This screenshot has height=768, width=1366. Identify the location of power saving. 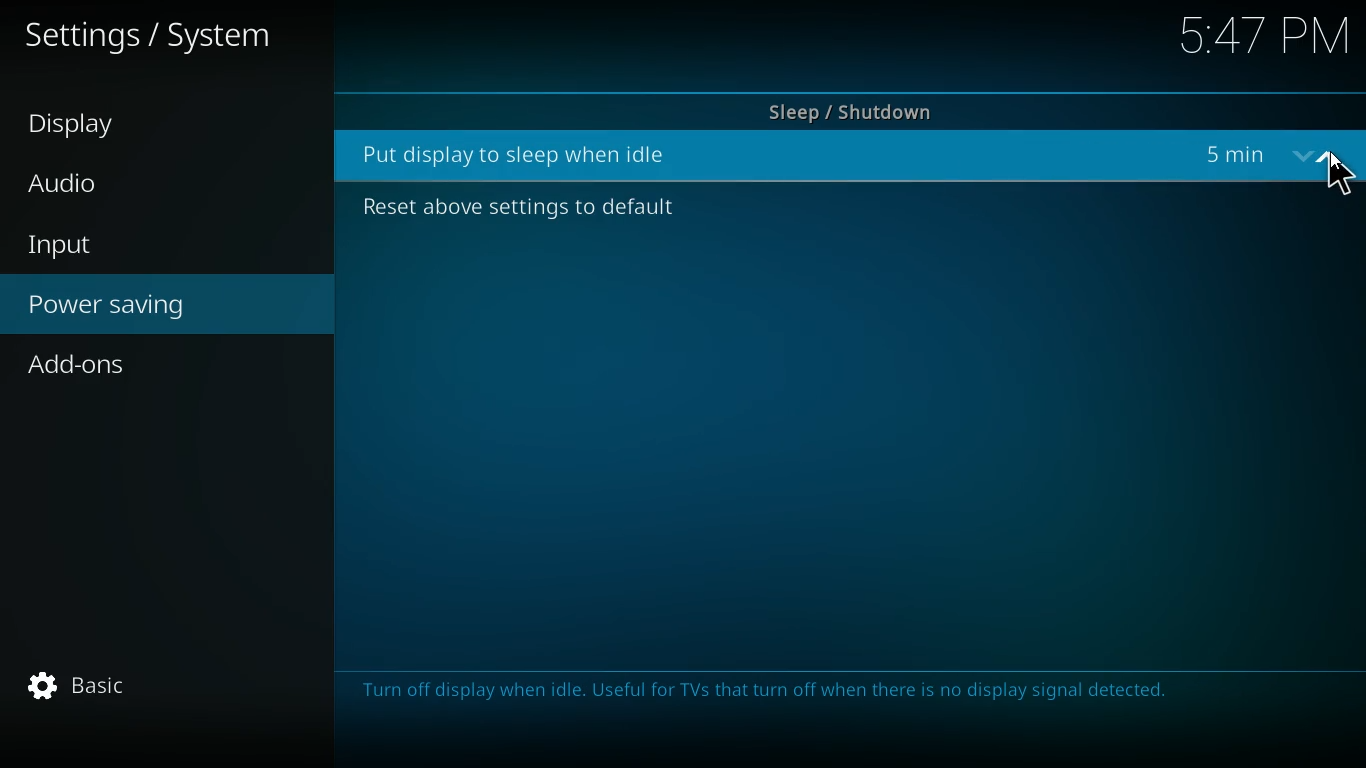
(166, 308).